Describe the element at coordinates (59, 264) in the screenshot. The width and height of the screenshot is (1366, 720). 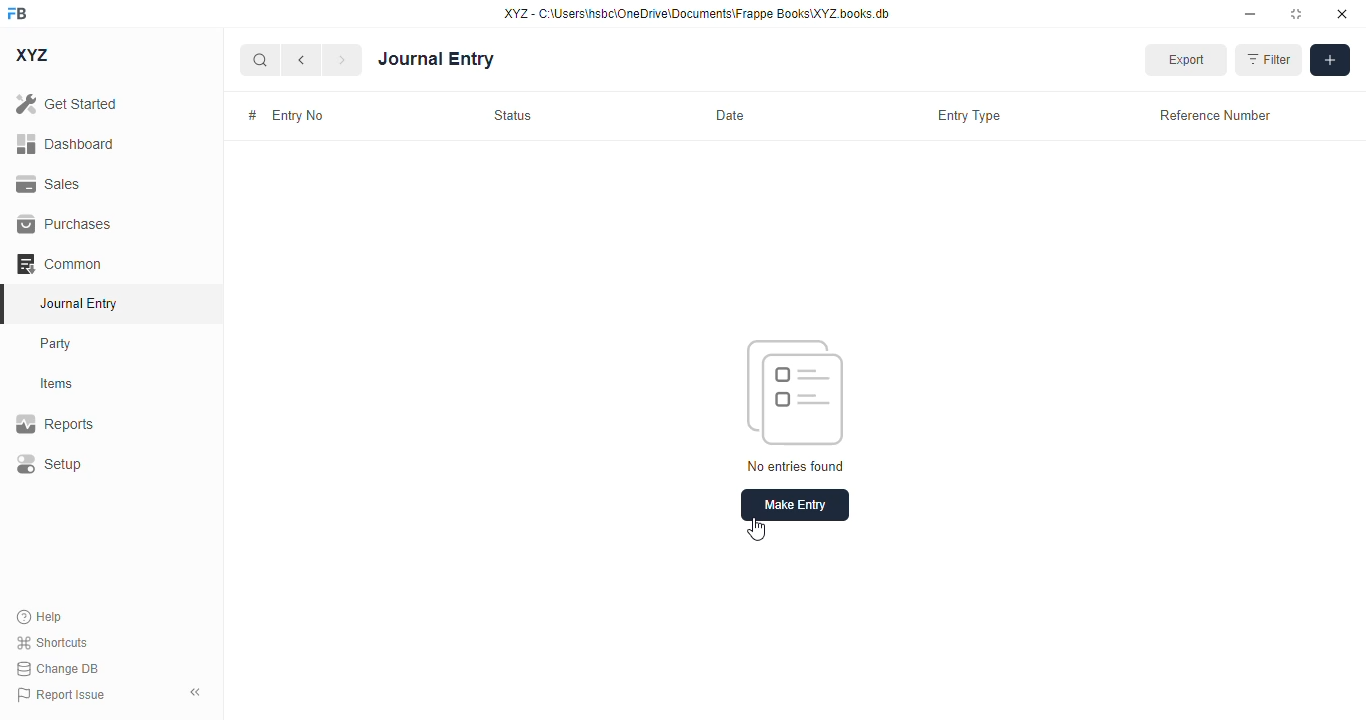
I see `common` at that location.